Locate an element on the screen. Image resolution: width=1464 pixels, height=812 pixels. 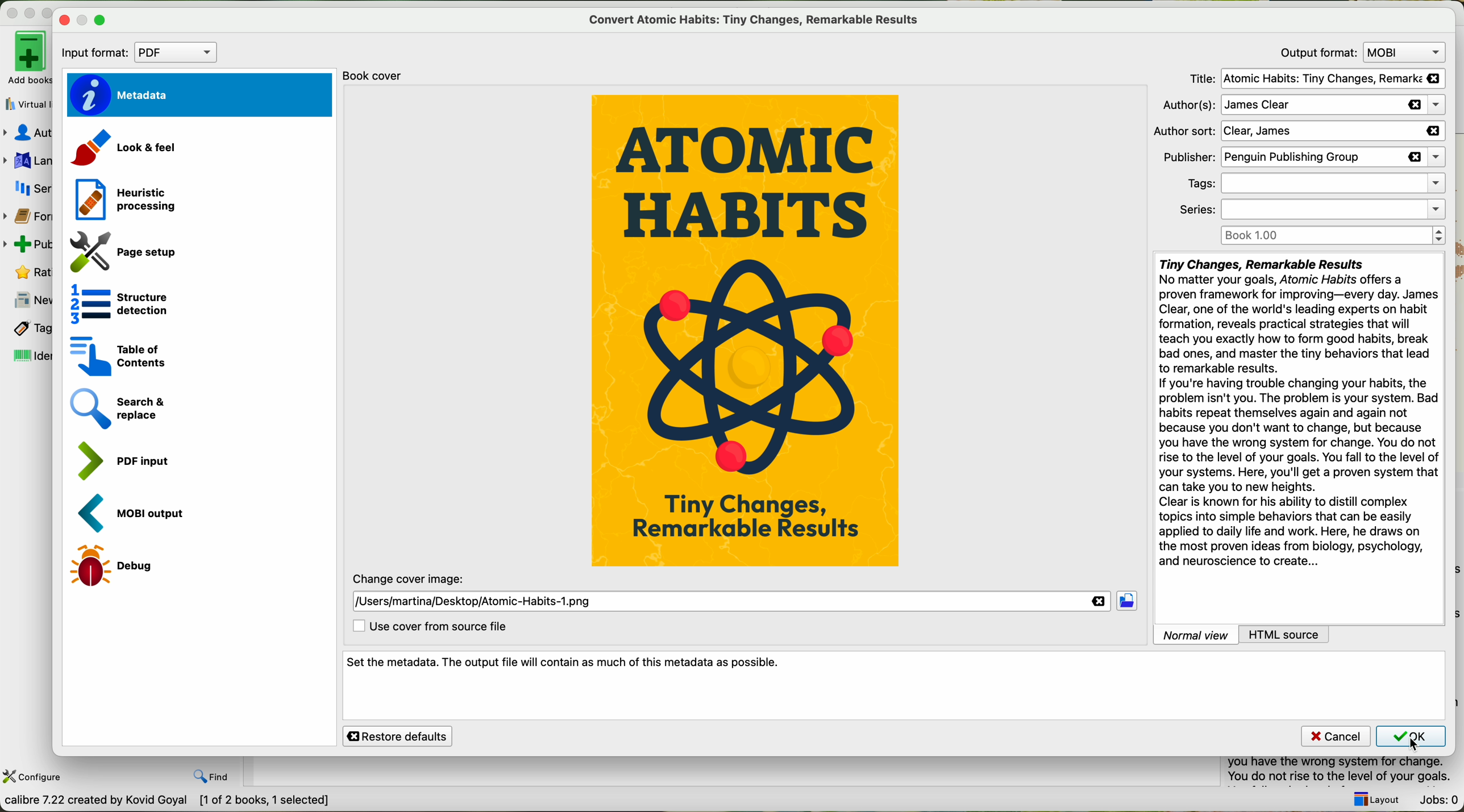
title is located at coordinates (1317, 80).